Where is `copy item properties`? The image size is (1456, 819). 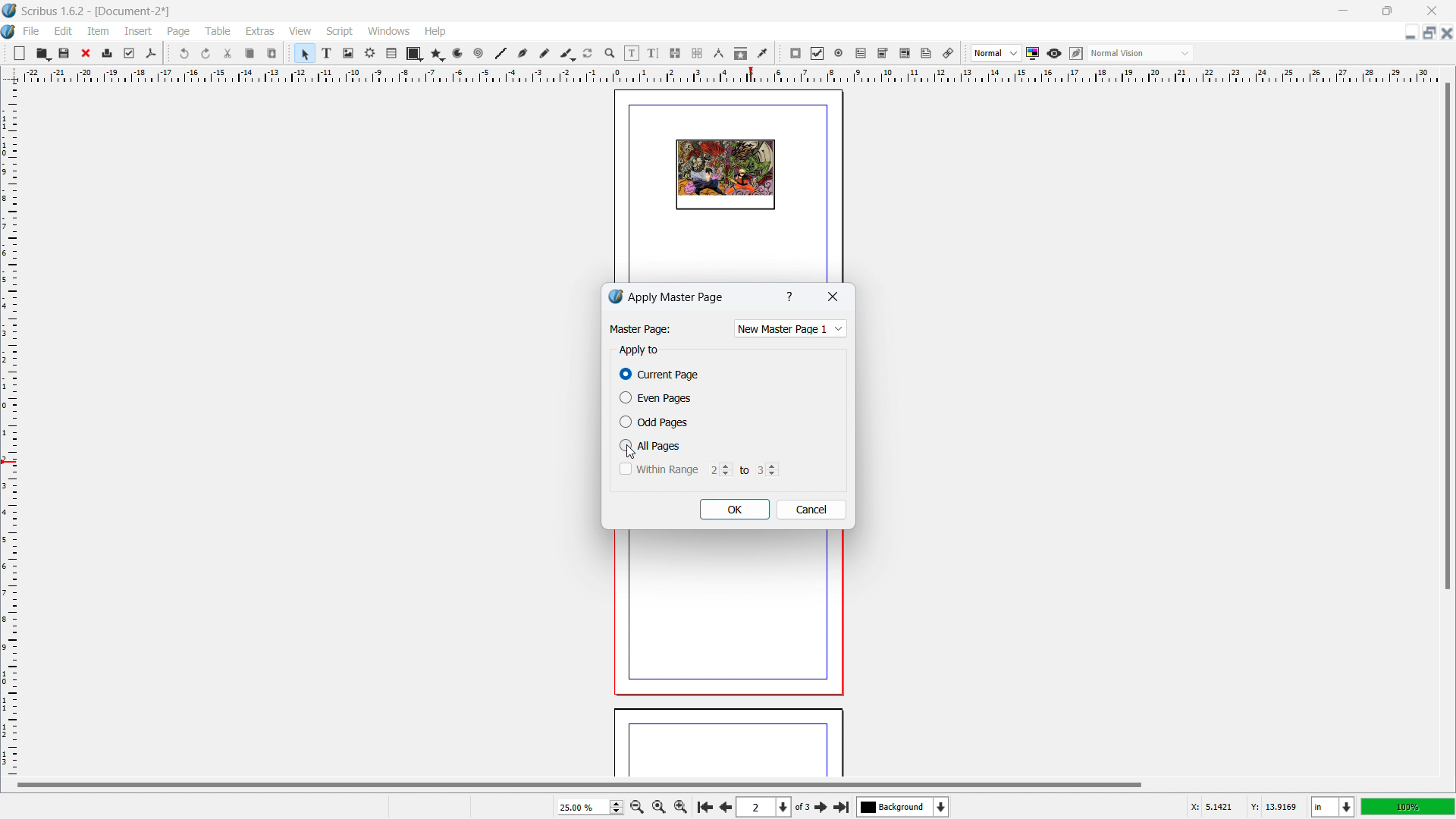 copy item properties is located at coordinates (741, 53).